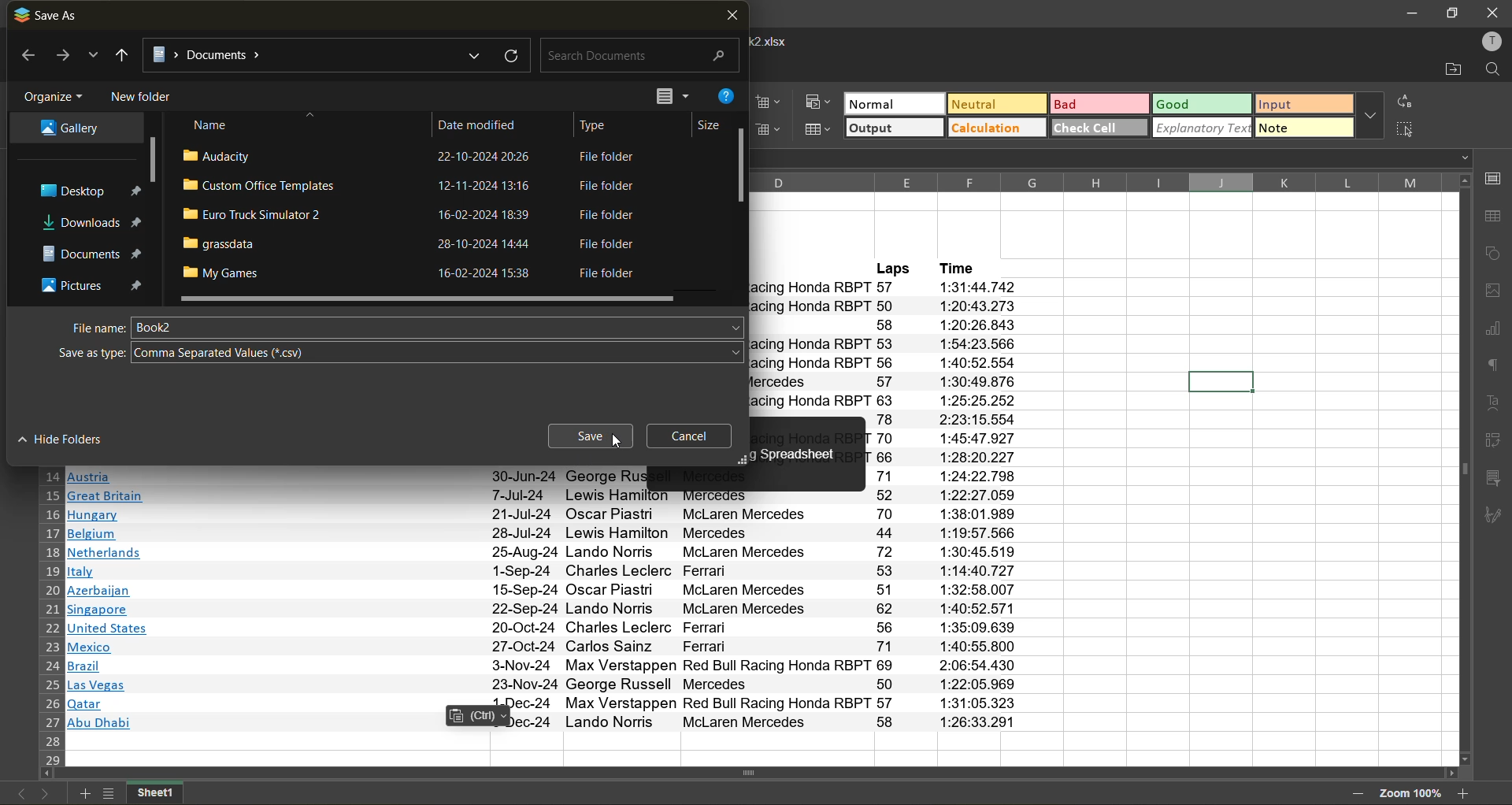  I want to click on minimize, so click(1411, 14).